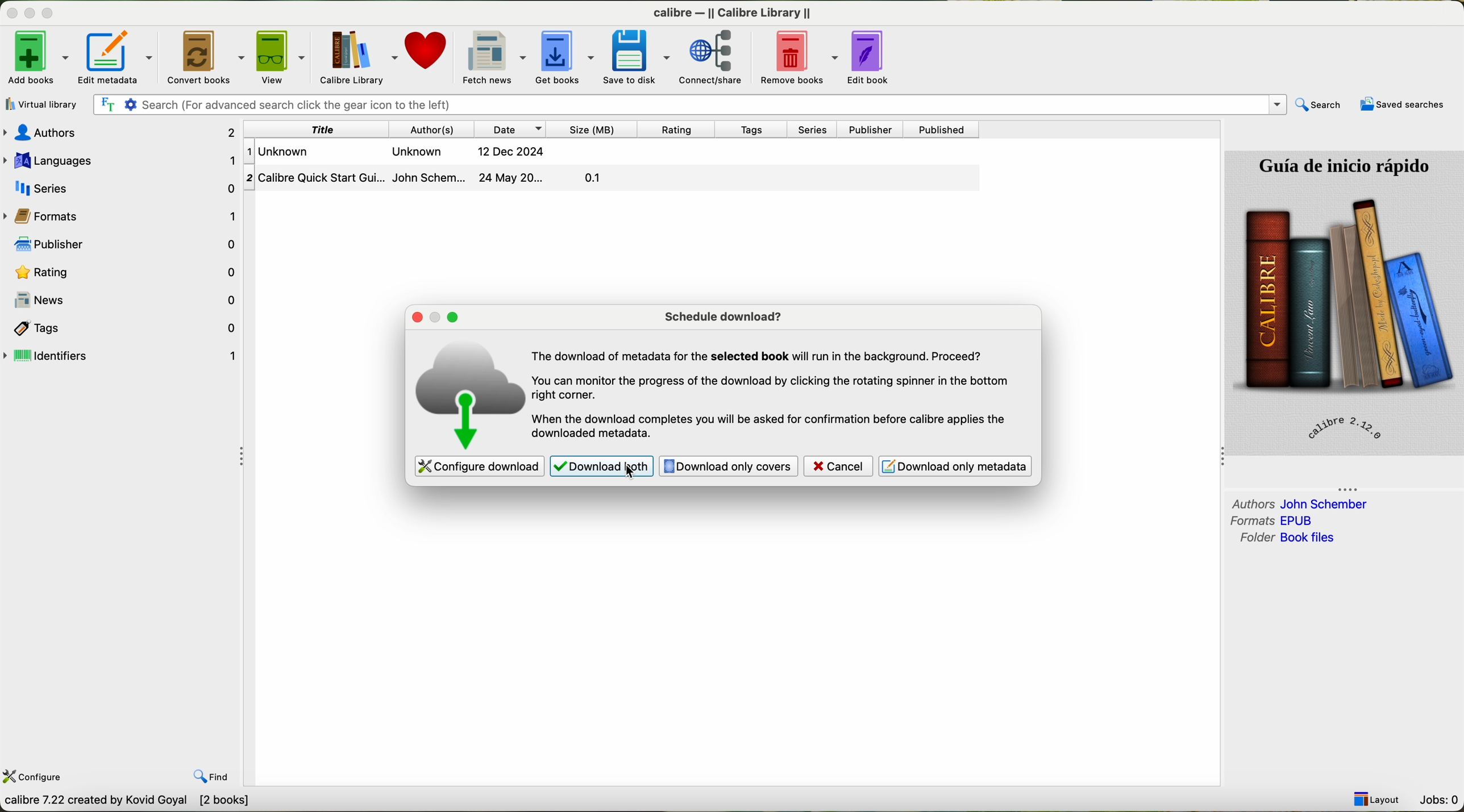 The width and height of the screenshot is (1464, 812). Describe the element at coordinates (135, 802) in the screenshot. I see `Callibre 7.22 created by Kavid Goyal [0 books]` at that location.